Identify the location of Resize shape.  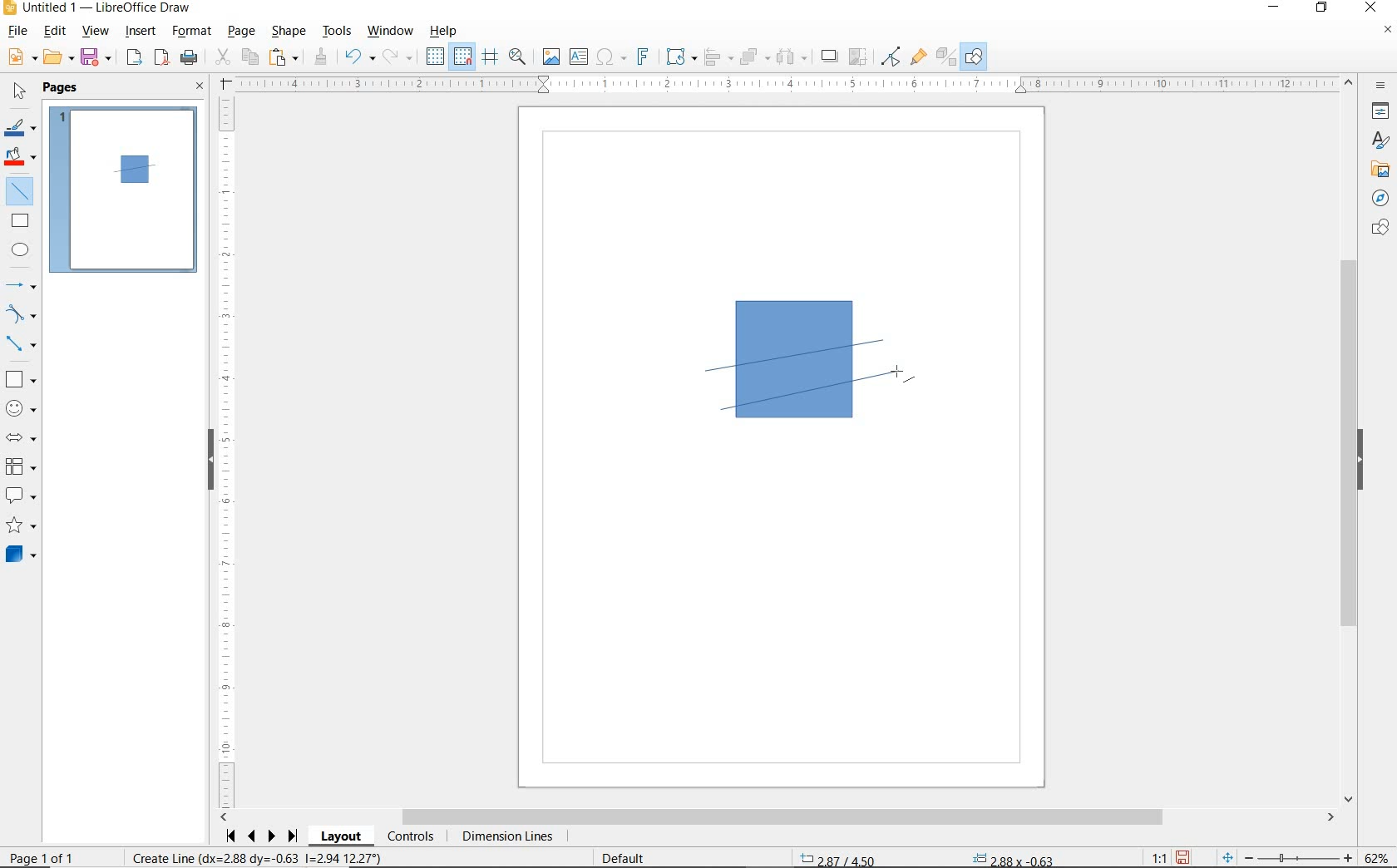
(256, 857).